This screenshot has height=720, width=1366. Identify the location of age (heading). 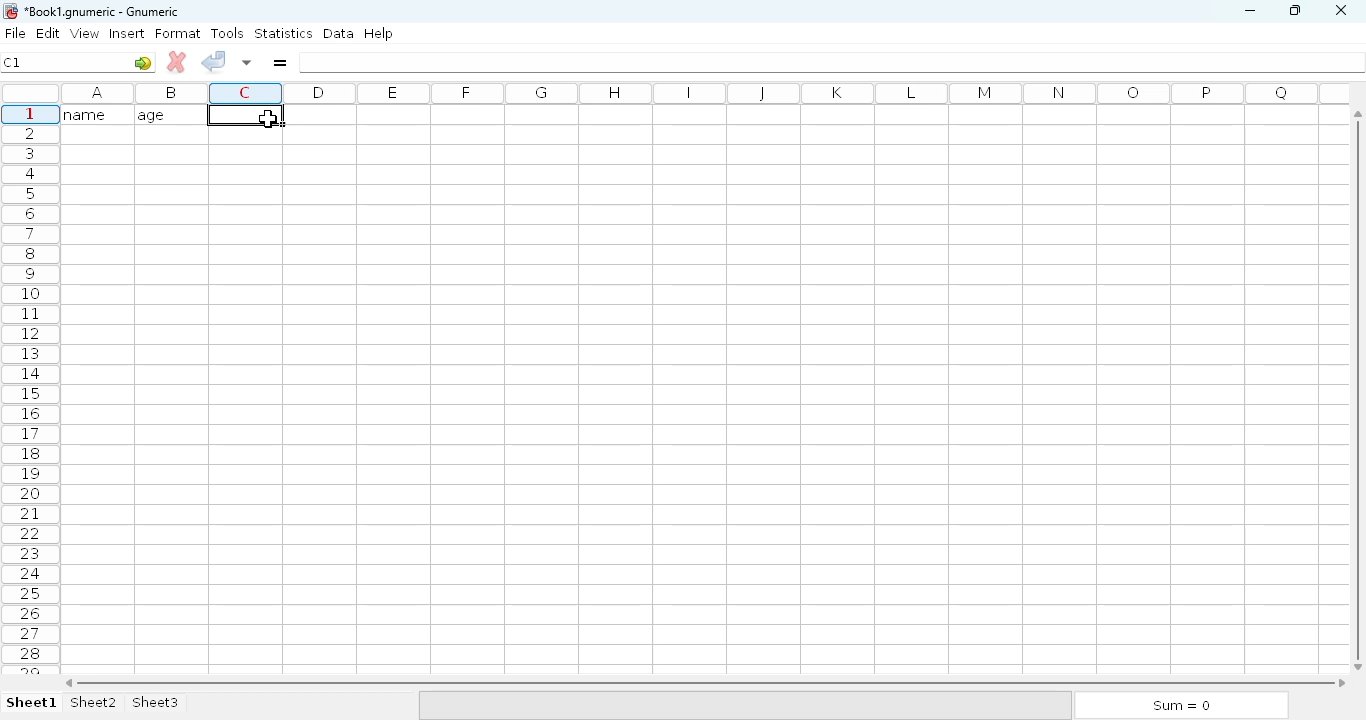
(165, 115).